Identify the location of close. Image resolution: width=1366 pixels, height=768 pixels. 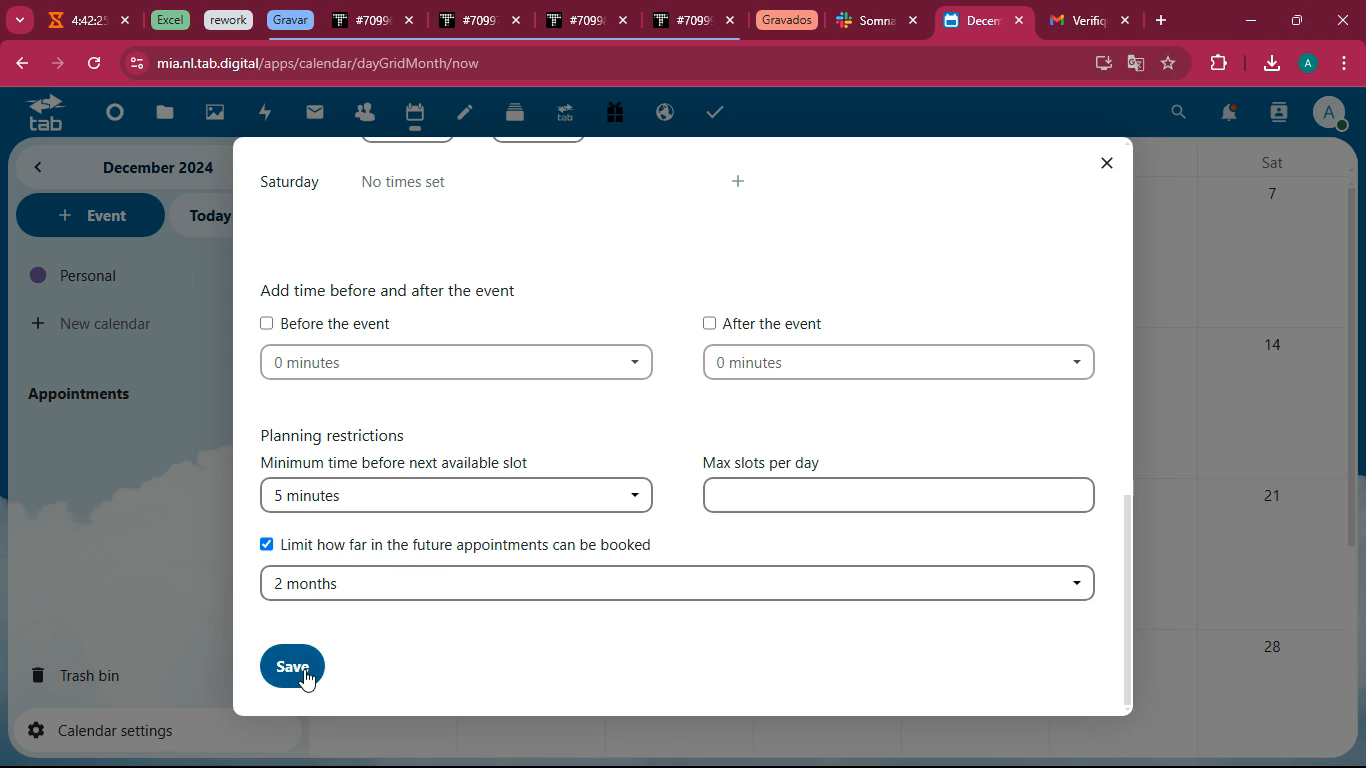
(628, 23).